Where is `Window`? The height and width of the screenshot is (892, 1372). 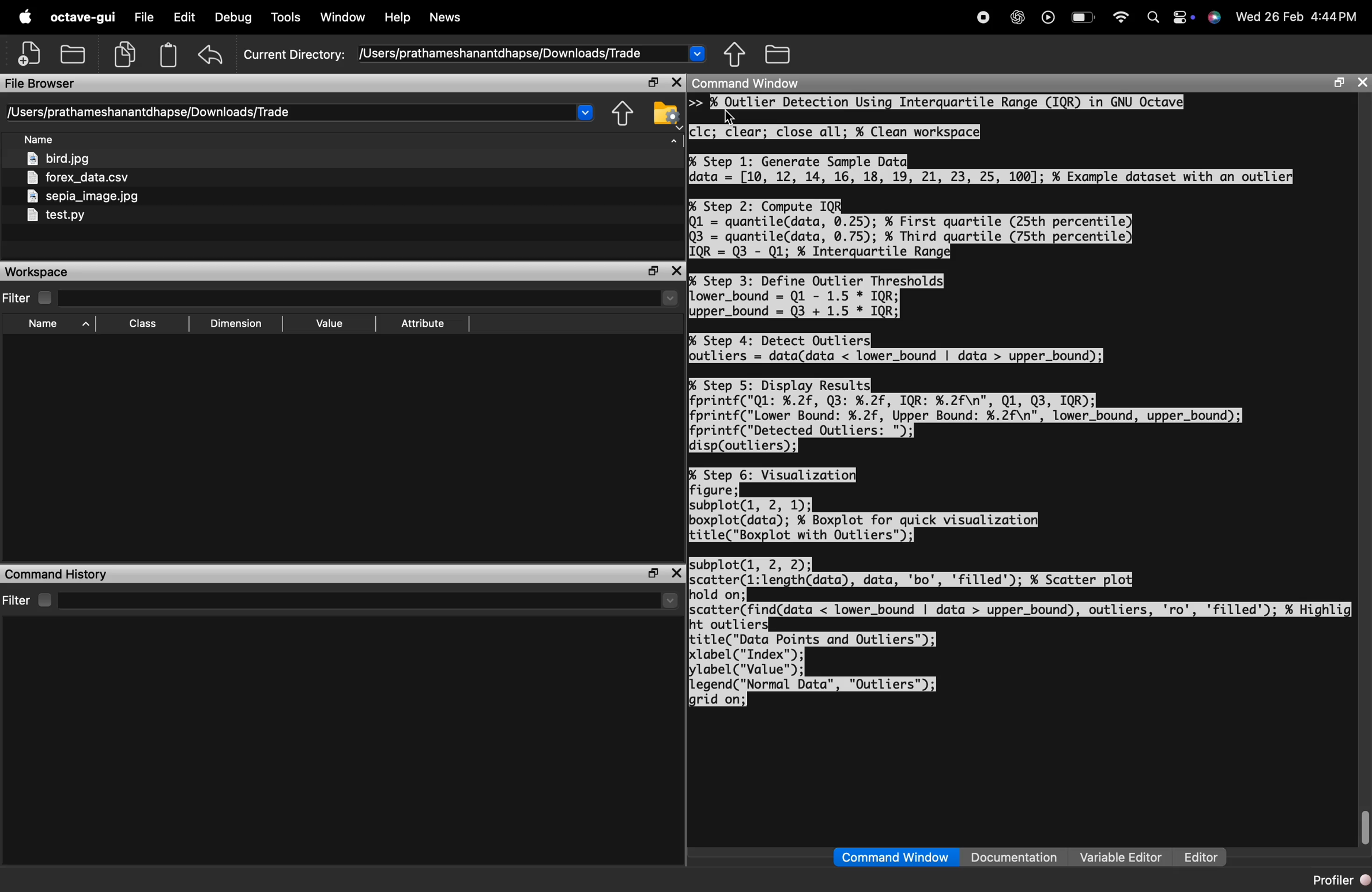 Window is located at coordinates (342, 17).